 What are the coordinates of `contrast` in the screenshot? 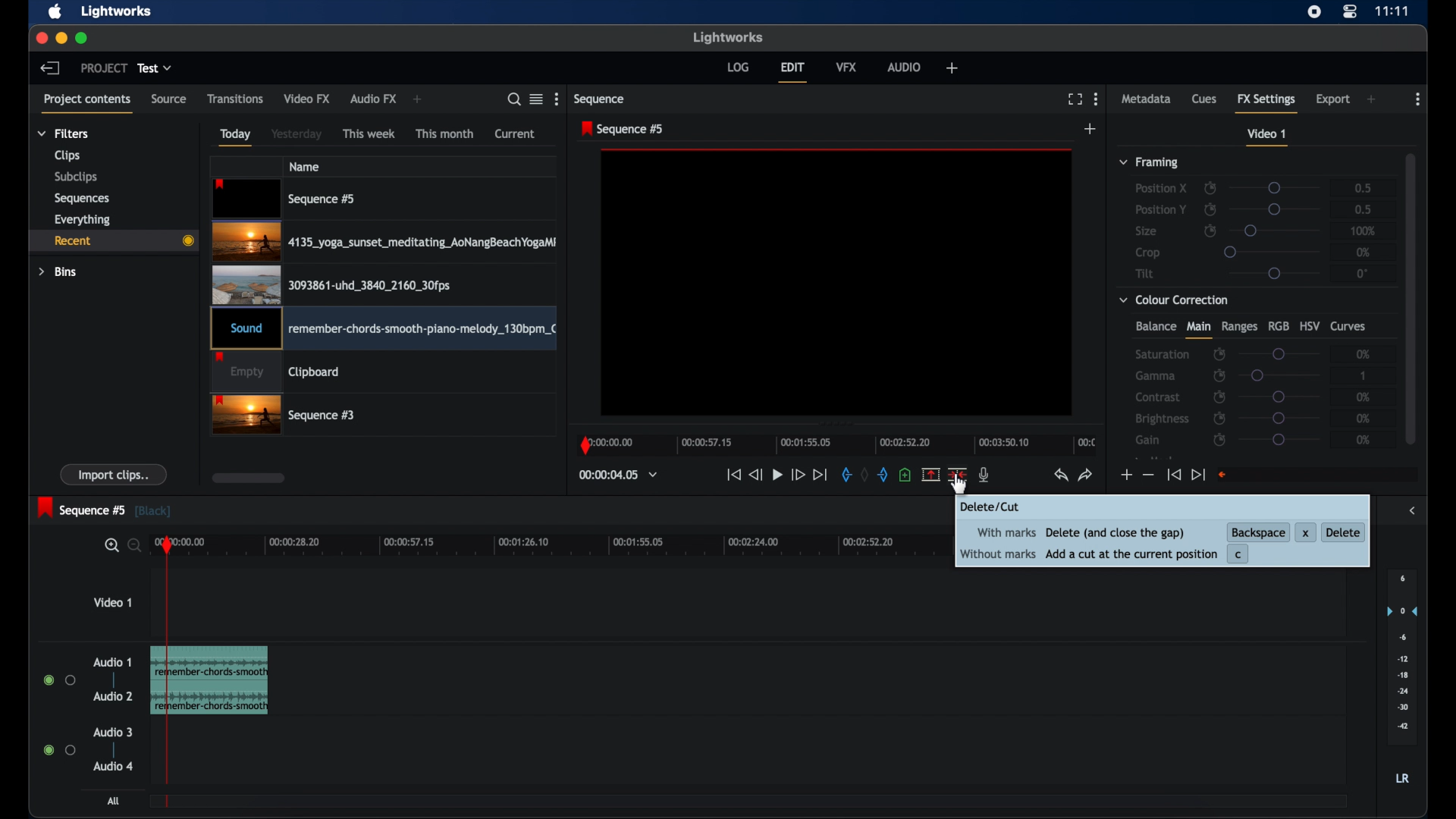 It's located at (1157, 397).